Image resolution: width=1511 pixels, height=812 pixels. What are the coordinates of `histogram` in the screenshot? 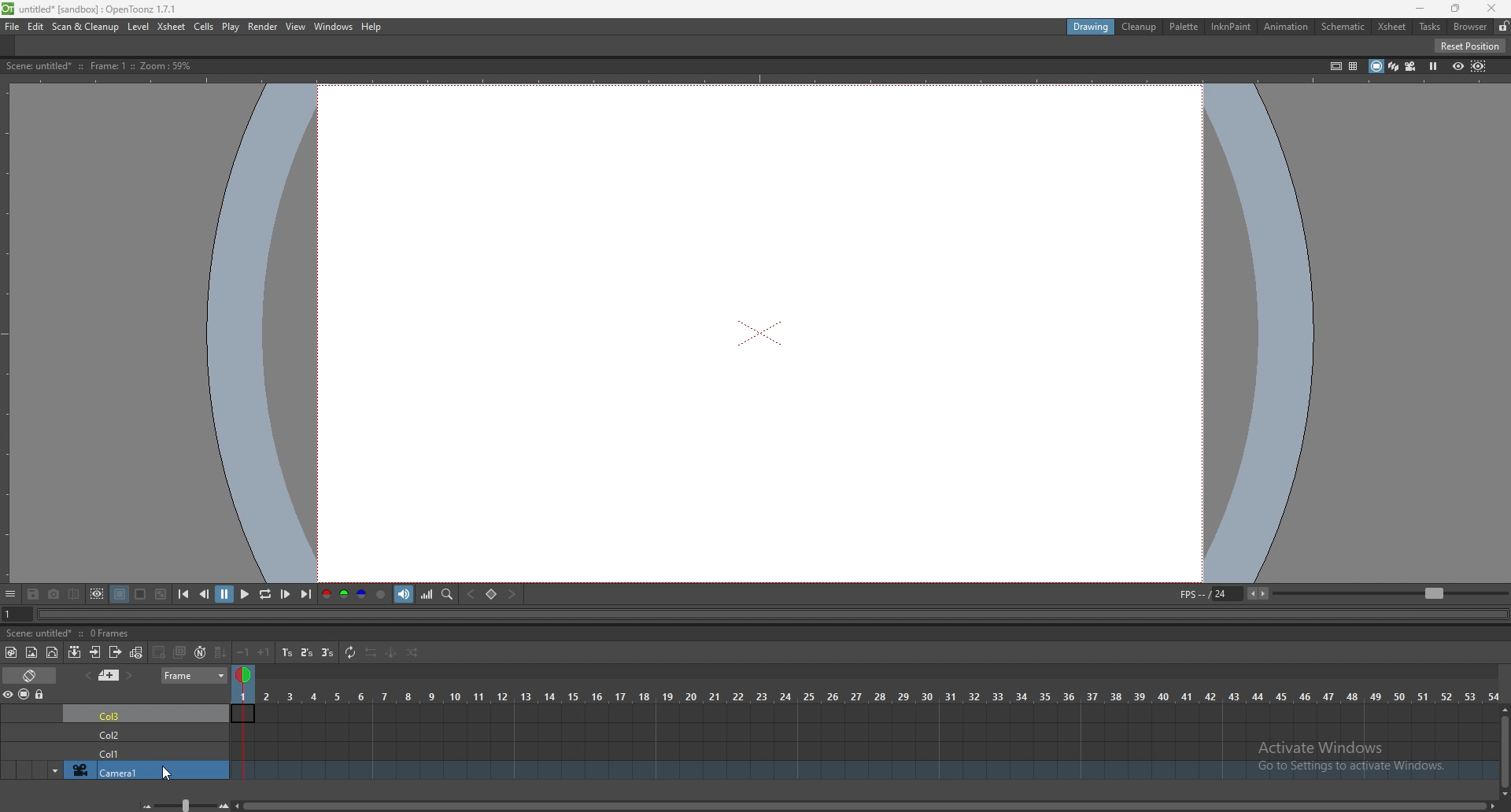 It's located at (428, 594).